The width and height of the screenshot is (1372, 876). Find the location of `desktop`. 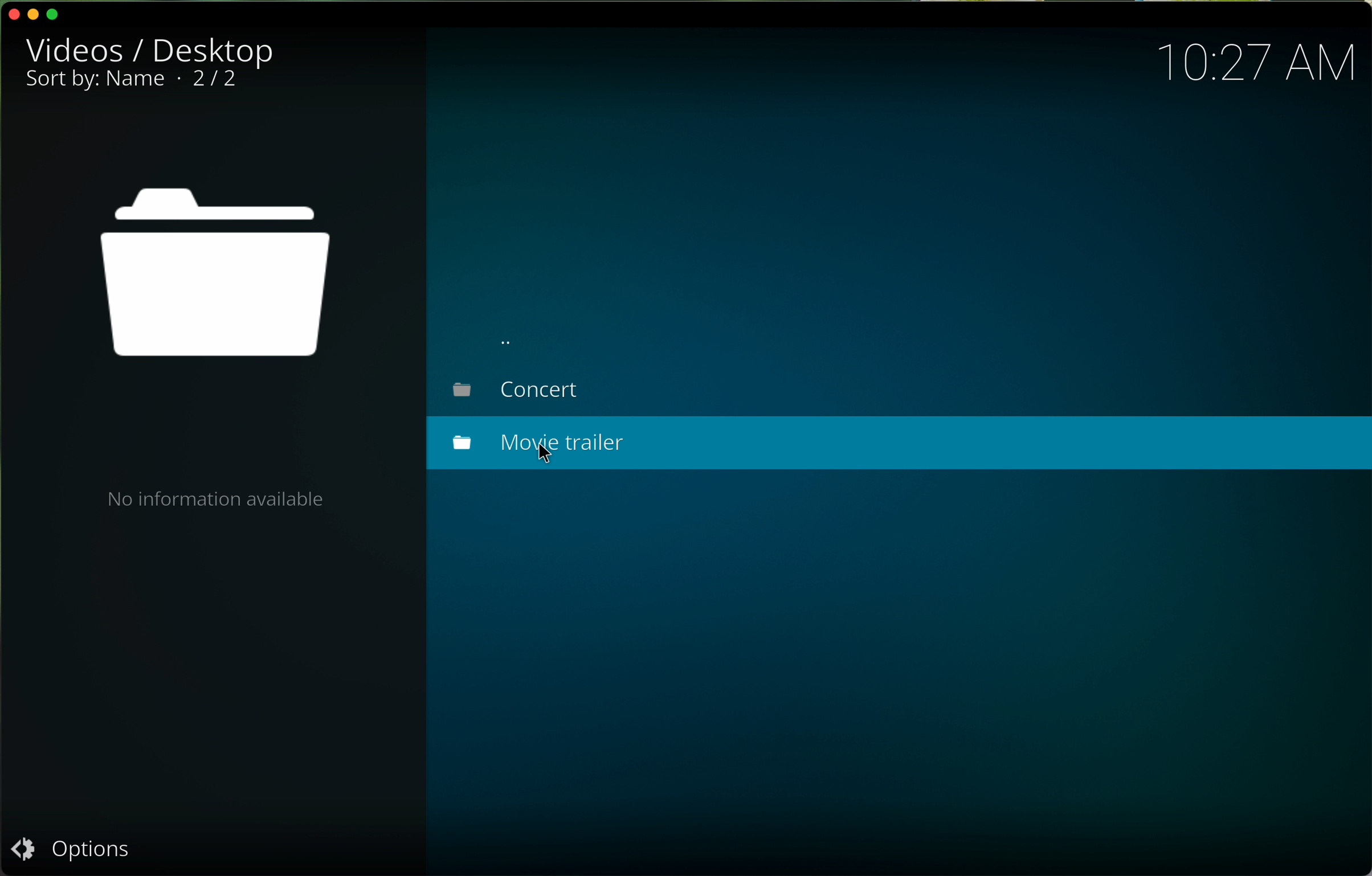

desktop is located at coordinates (215, 50).